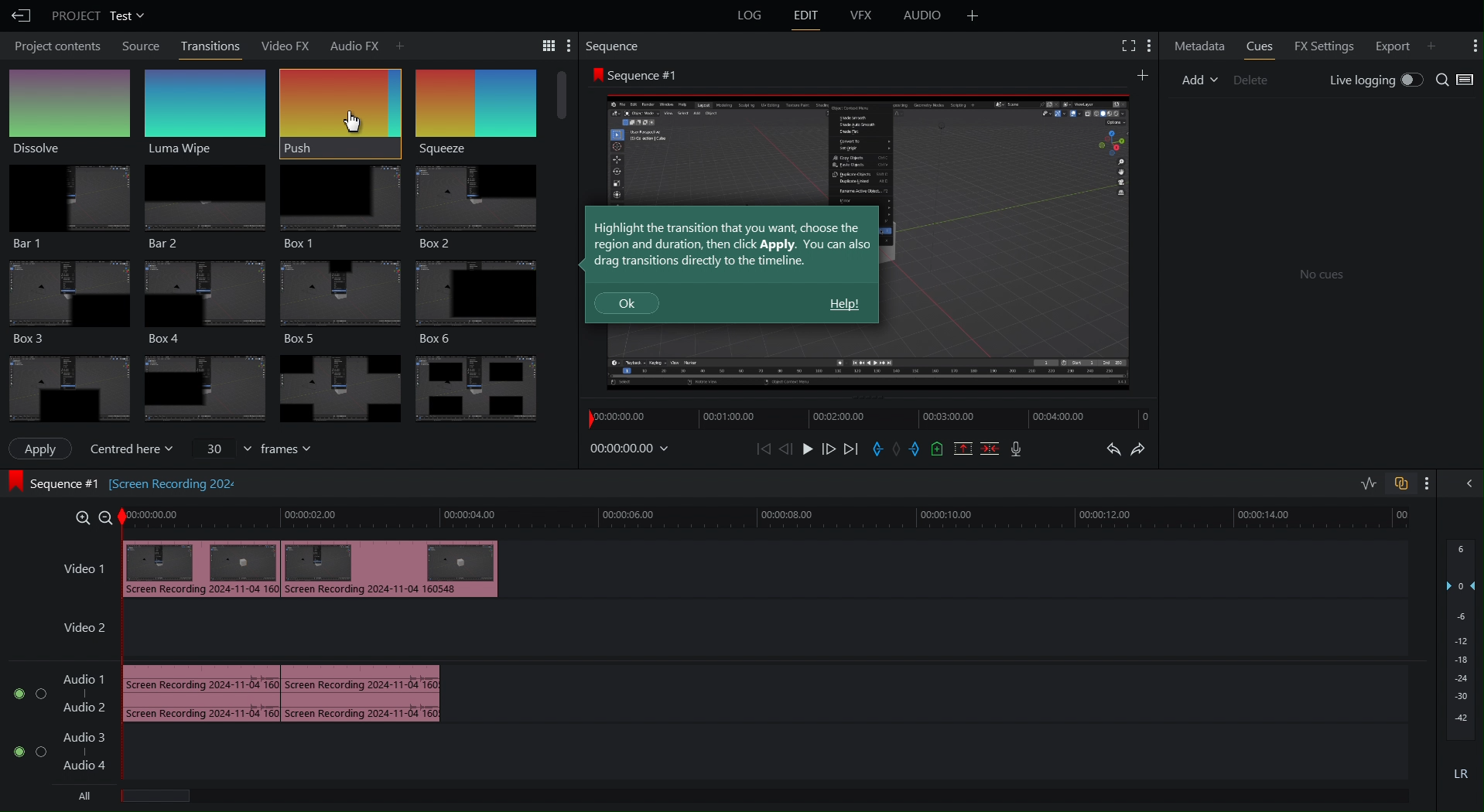 Image resolution: width=1484 pixels, height=812 pixels. I want to click on value, so click(221, 446).